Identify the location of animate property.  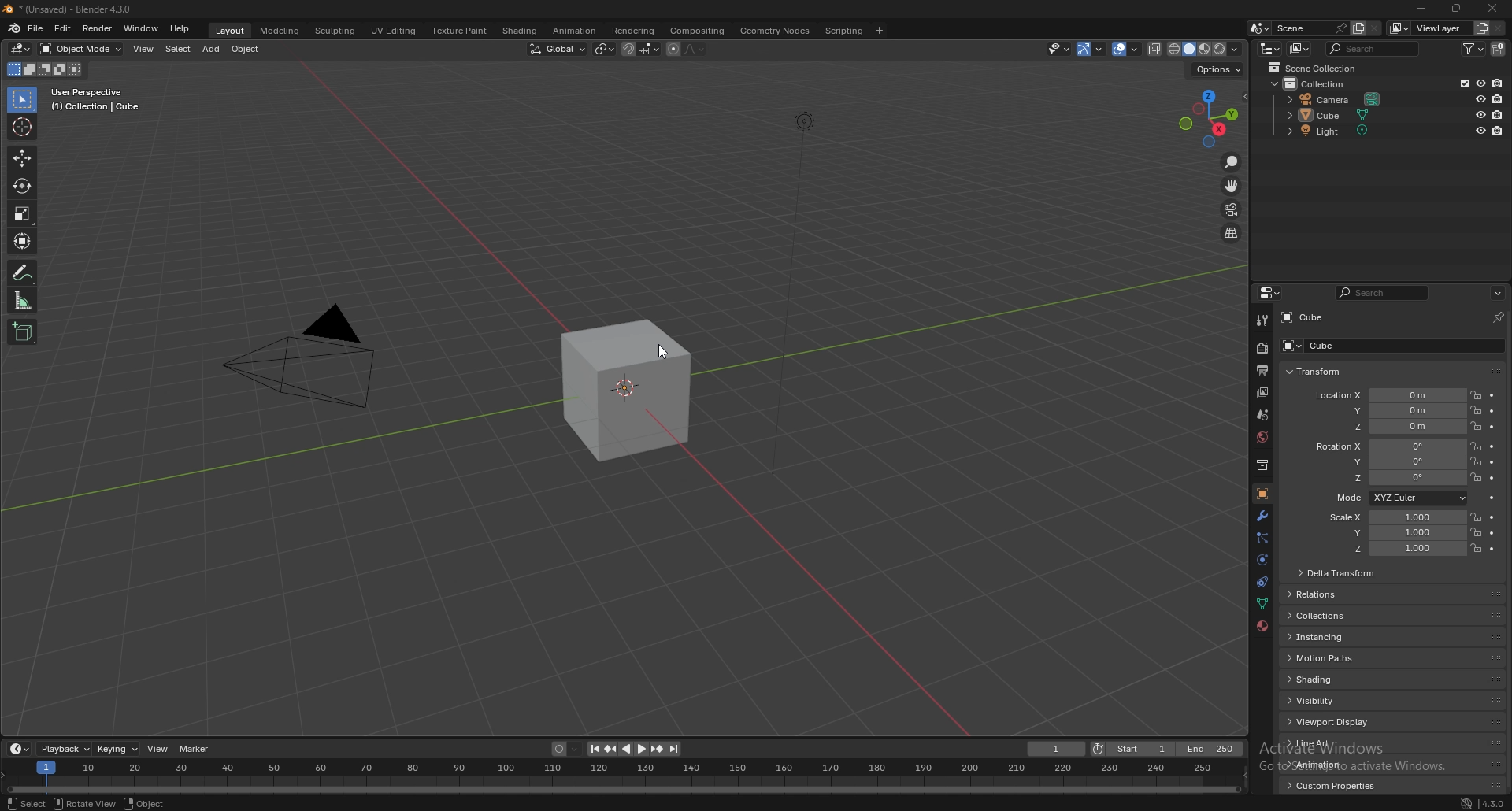
(1492, 427).